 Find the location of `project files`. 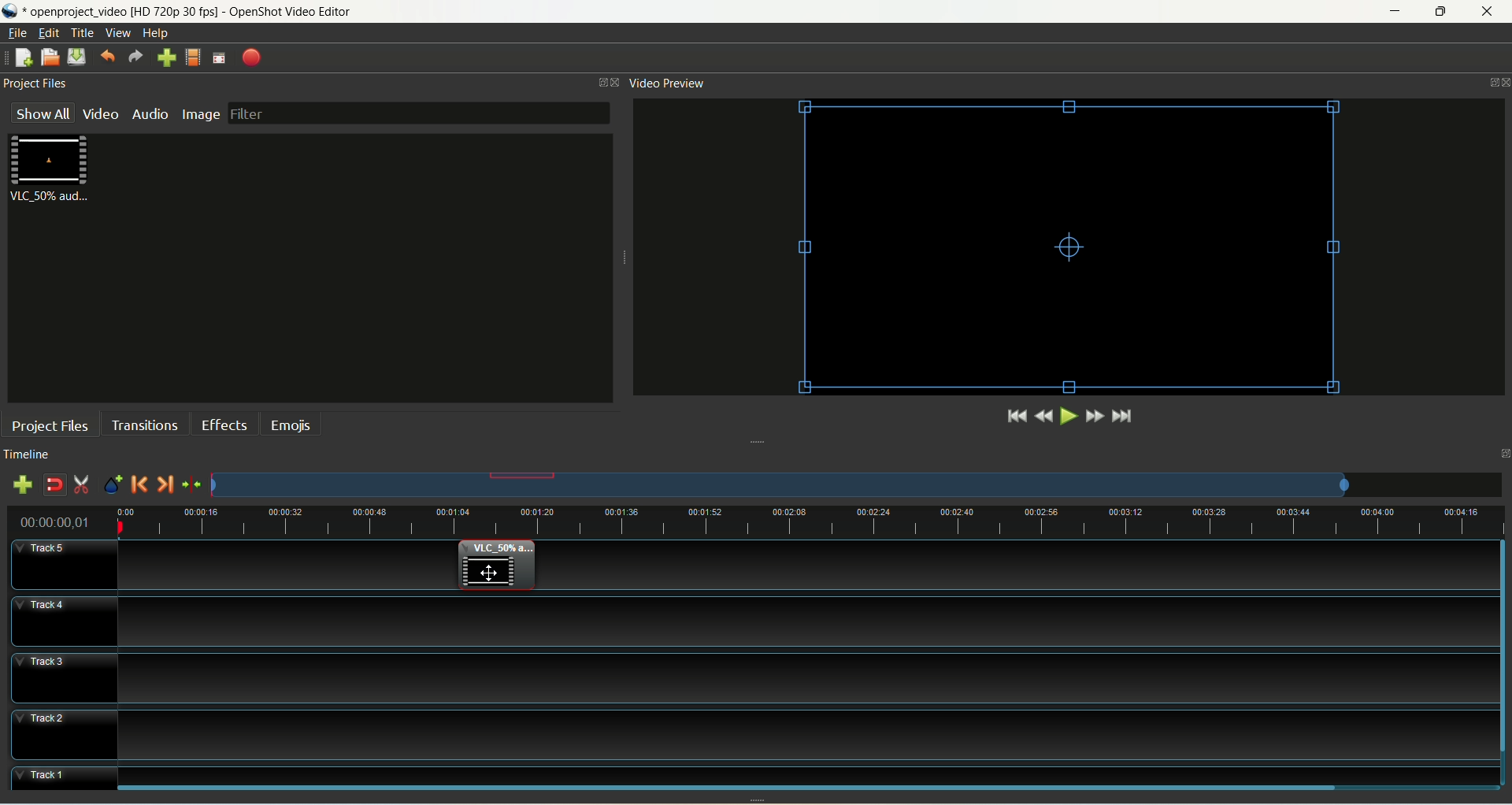

project files is located at coordinates (40, 83).